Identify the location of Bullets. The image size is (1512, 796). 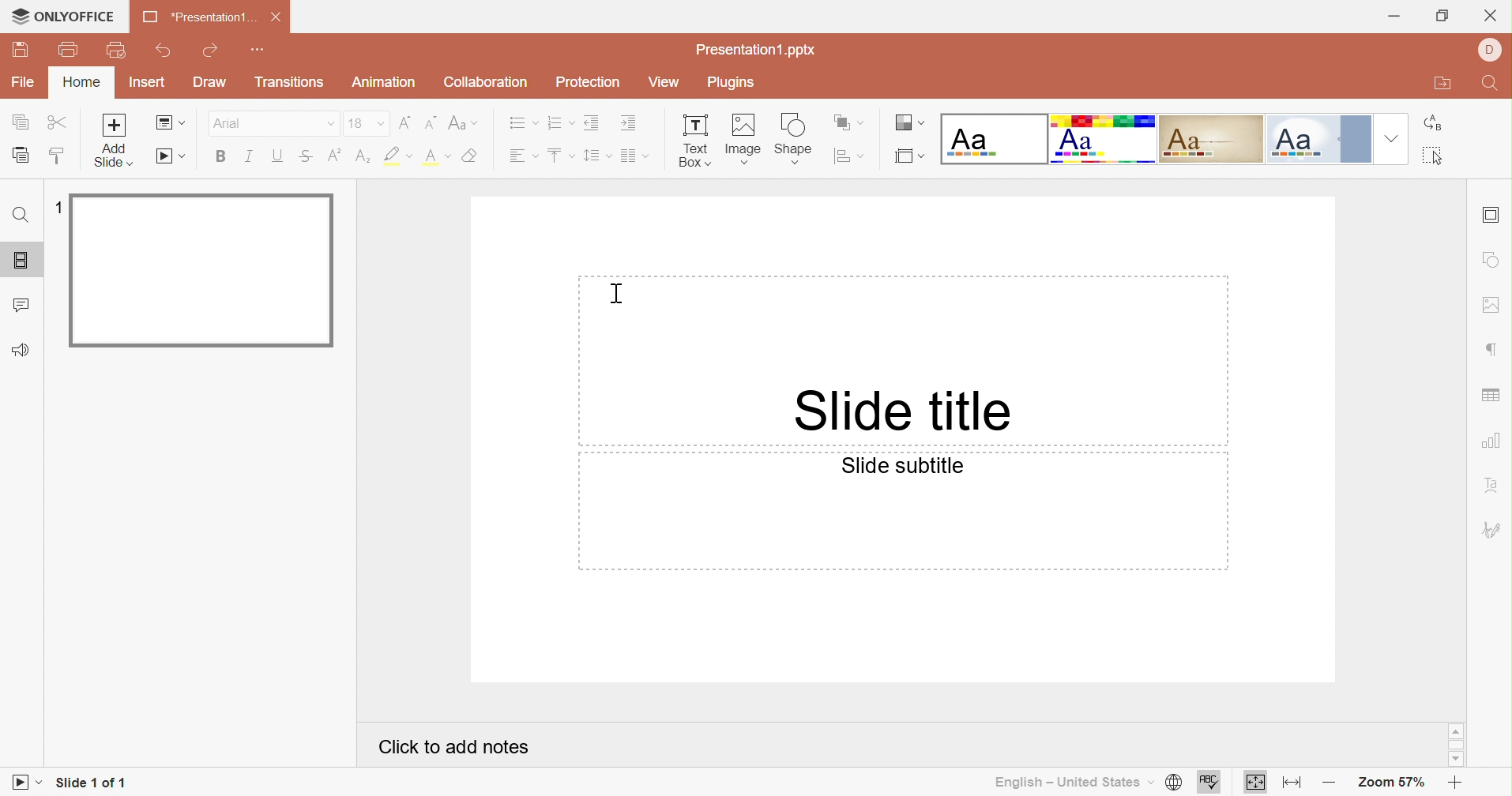
(516, 123).